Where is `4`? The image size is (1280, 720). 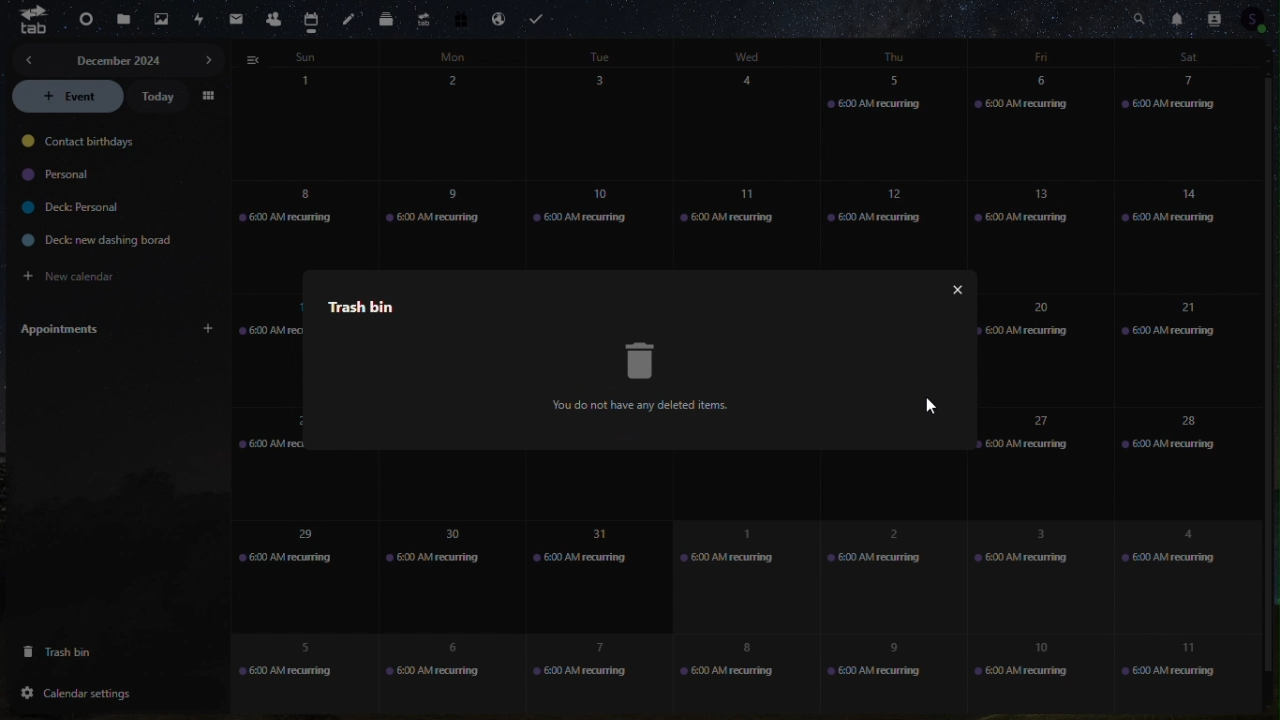 4 is located at coordinates (1178, 565).